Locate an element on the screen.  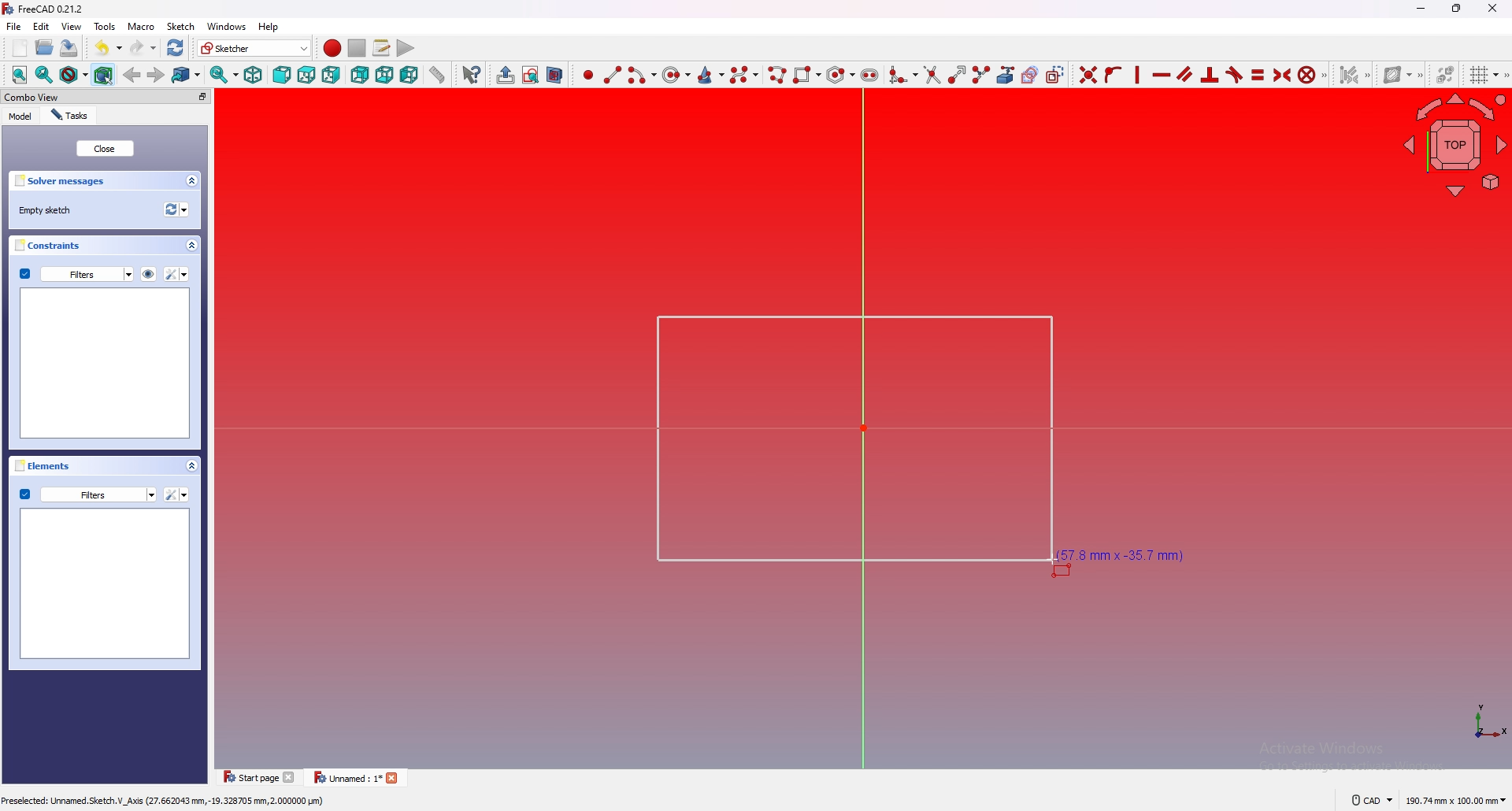
pop out is located at coordinates (202, 97).